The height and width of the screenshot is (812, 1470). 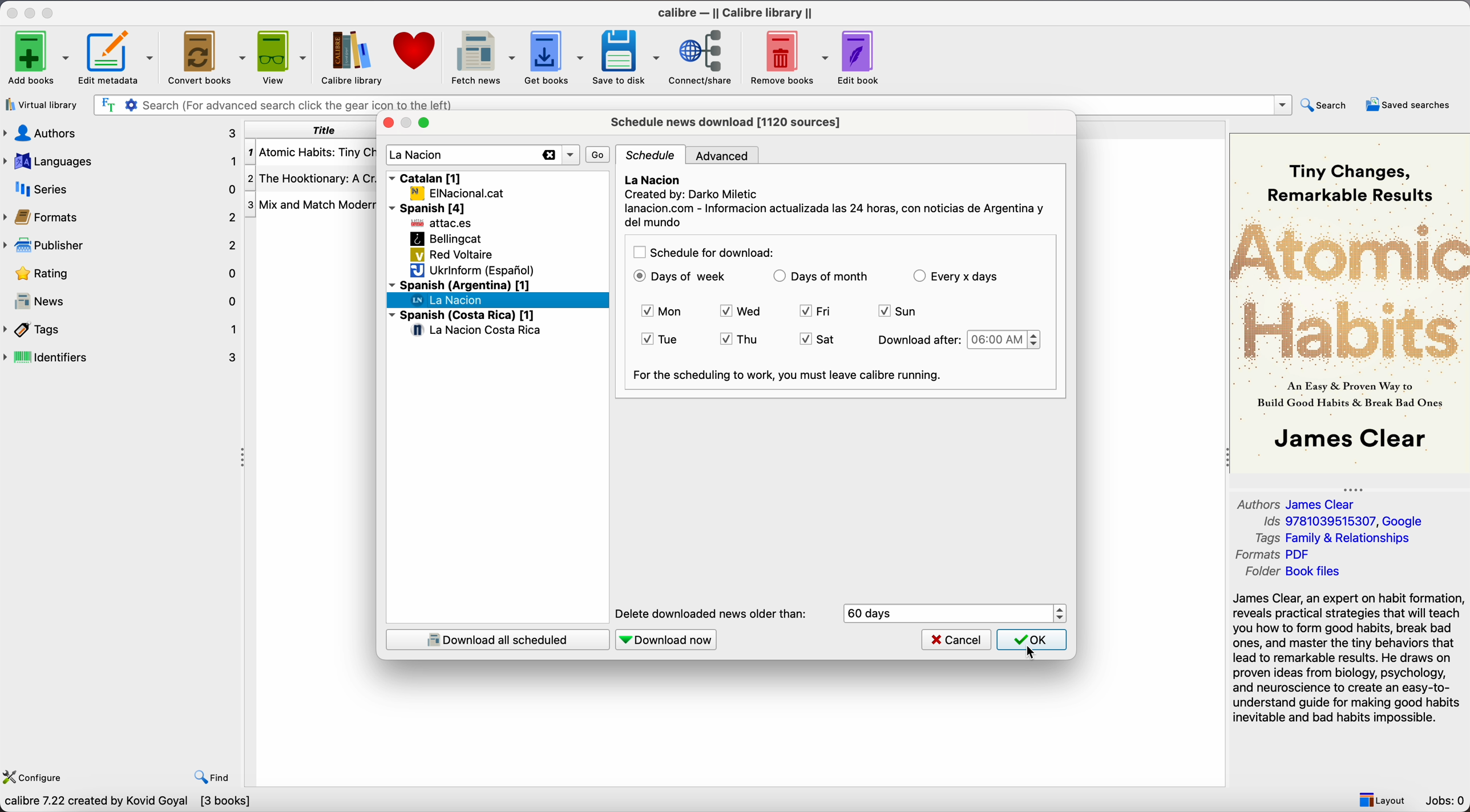 What do you see at coordinates (481, 56) in the screenshot?
I see `click on fetch news options` at bounding box center [481, 56].